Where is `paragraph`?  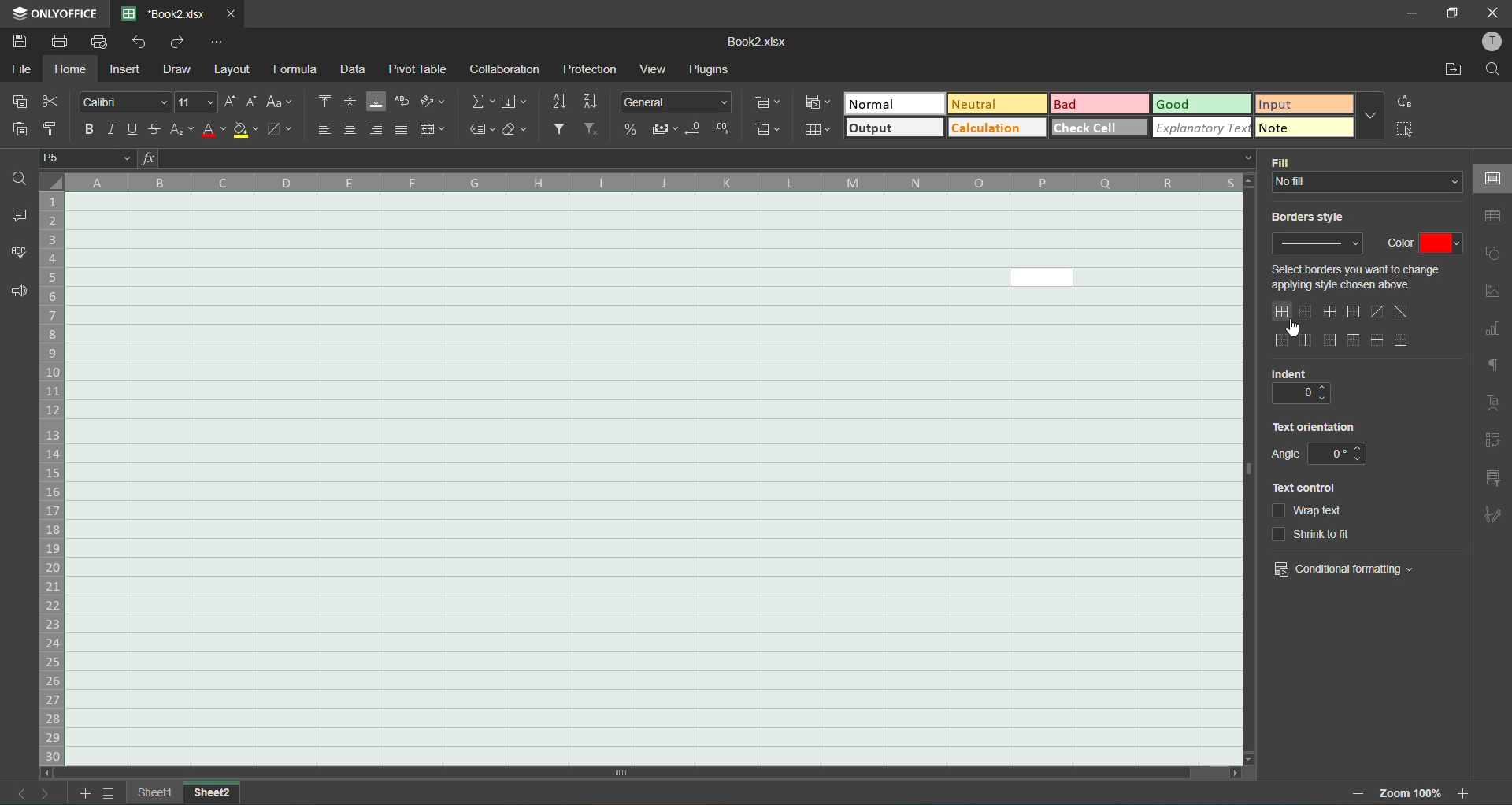
paragraph is located at coordinates (1494, 366).